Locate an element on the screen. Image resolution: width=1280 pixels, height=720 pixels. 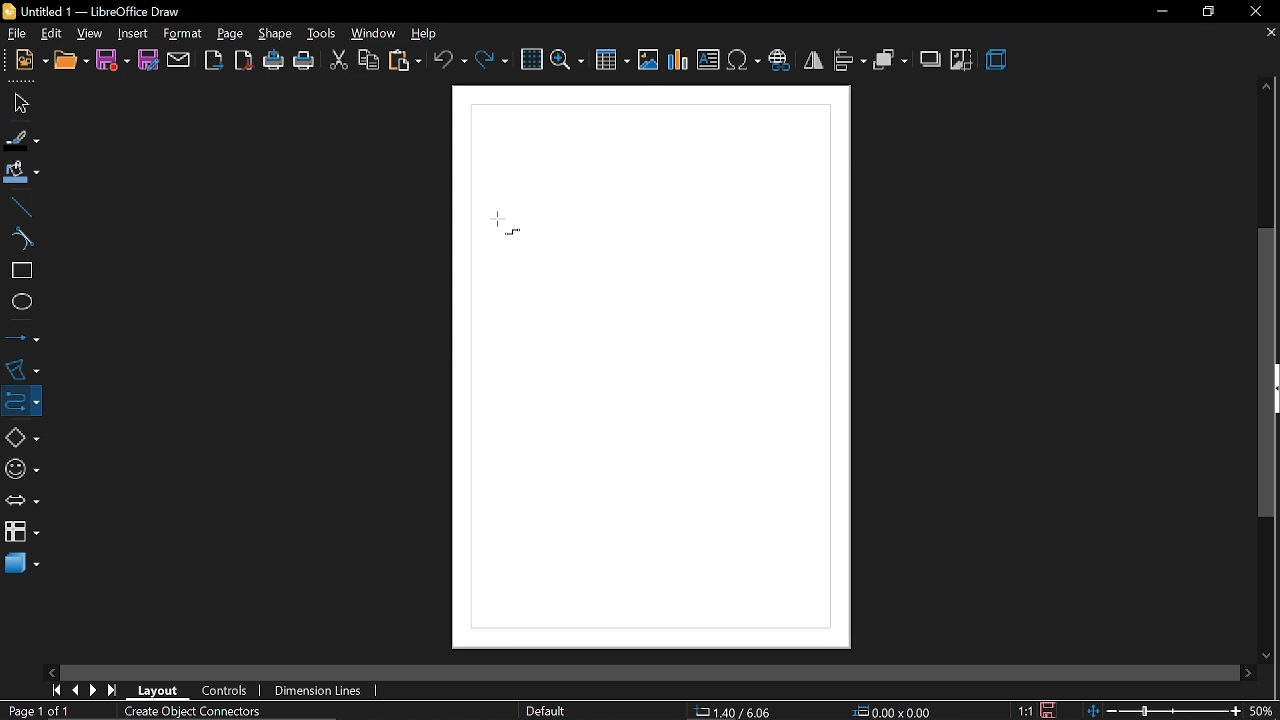
tools is located at coordinates (319, 33).